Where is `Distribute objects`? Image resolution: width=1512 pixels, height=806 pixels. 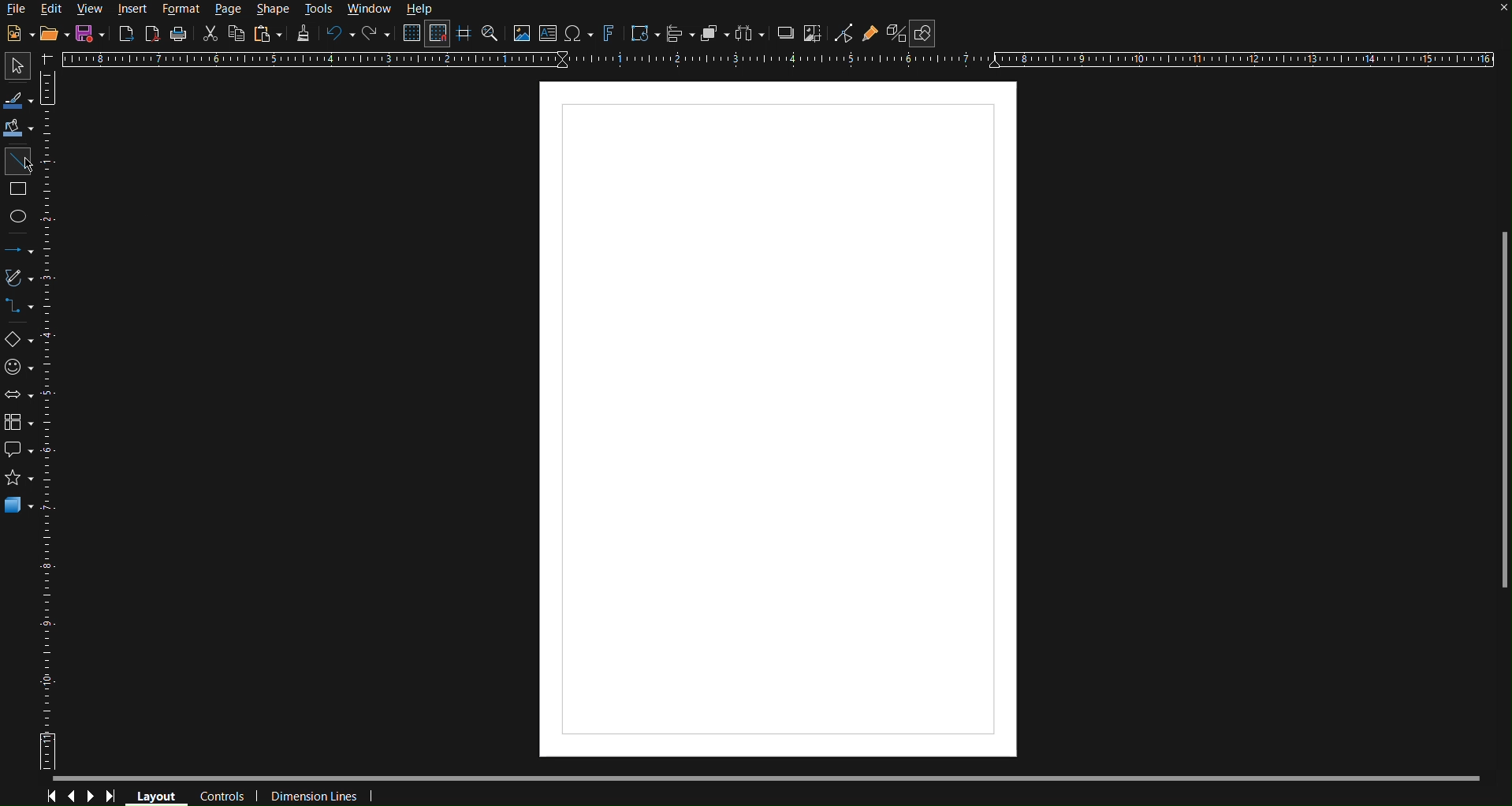
Distribute objects is located at coordinates (752, 33).